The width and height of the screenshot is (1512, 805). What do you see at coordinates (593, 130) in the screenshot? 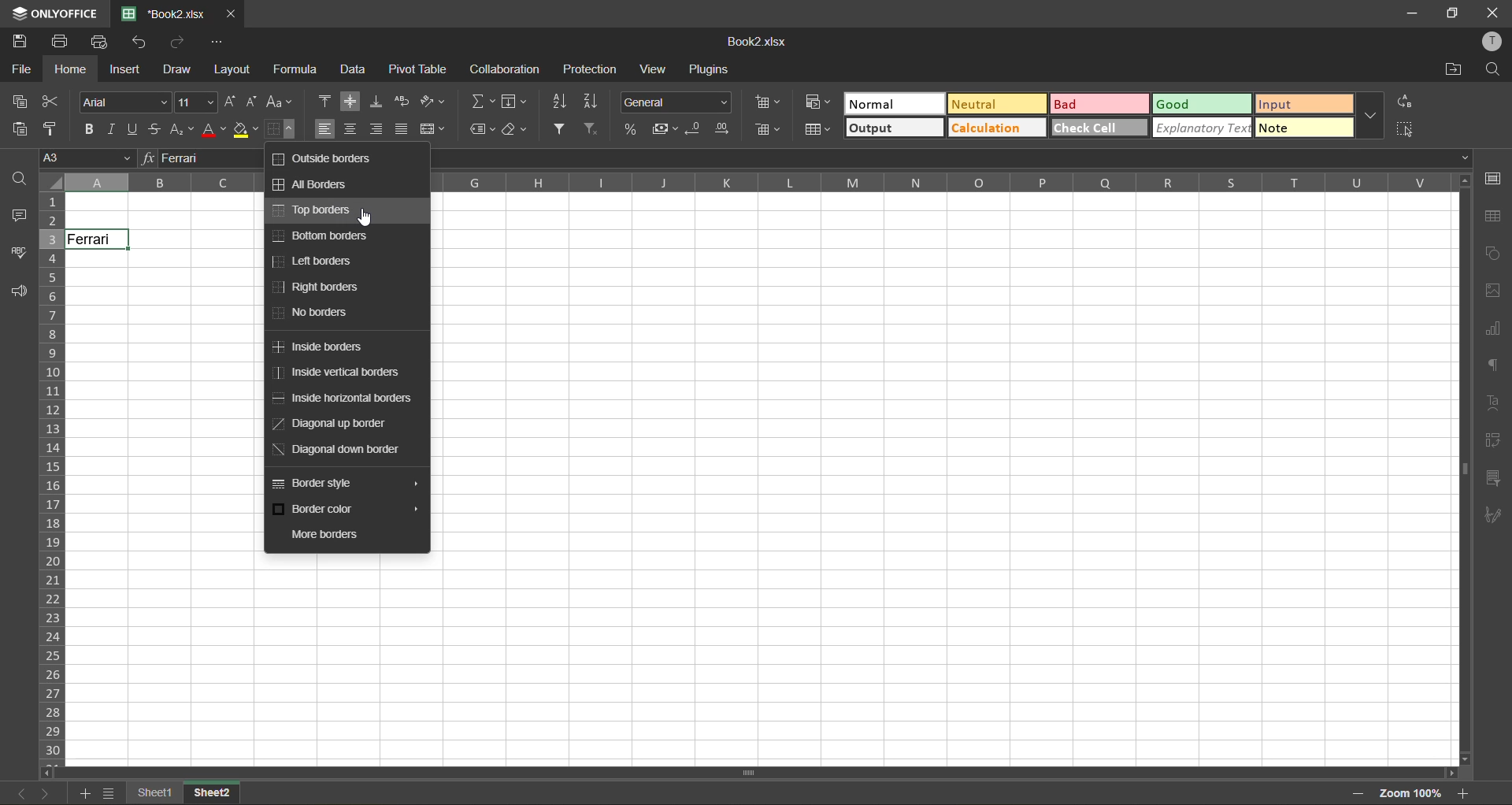
I see `clear filter` at bounding box center [593, 130].